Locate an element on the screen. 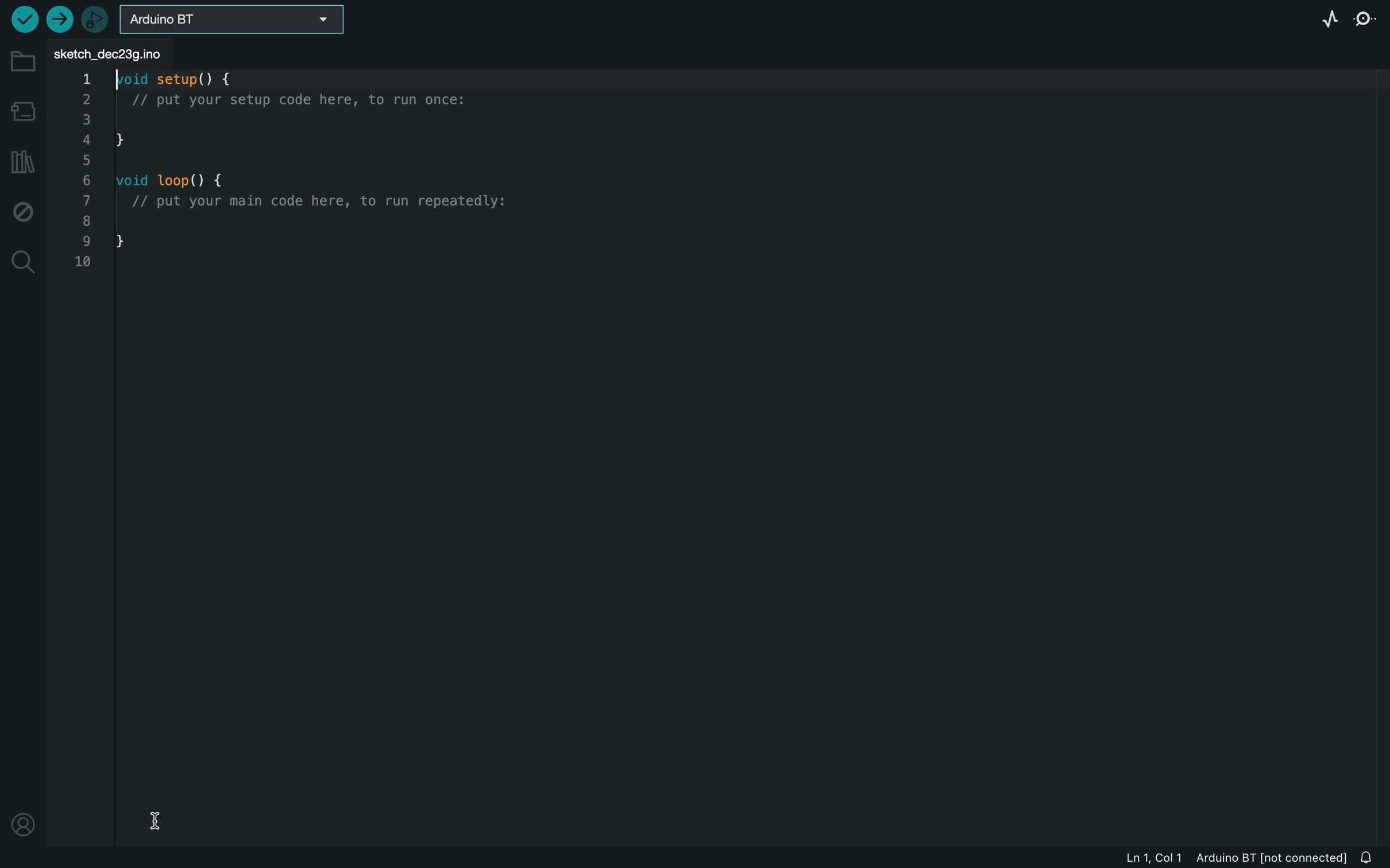 The image size is (1390, 868). serial monitor is located at coordinates (1368, 18).